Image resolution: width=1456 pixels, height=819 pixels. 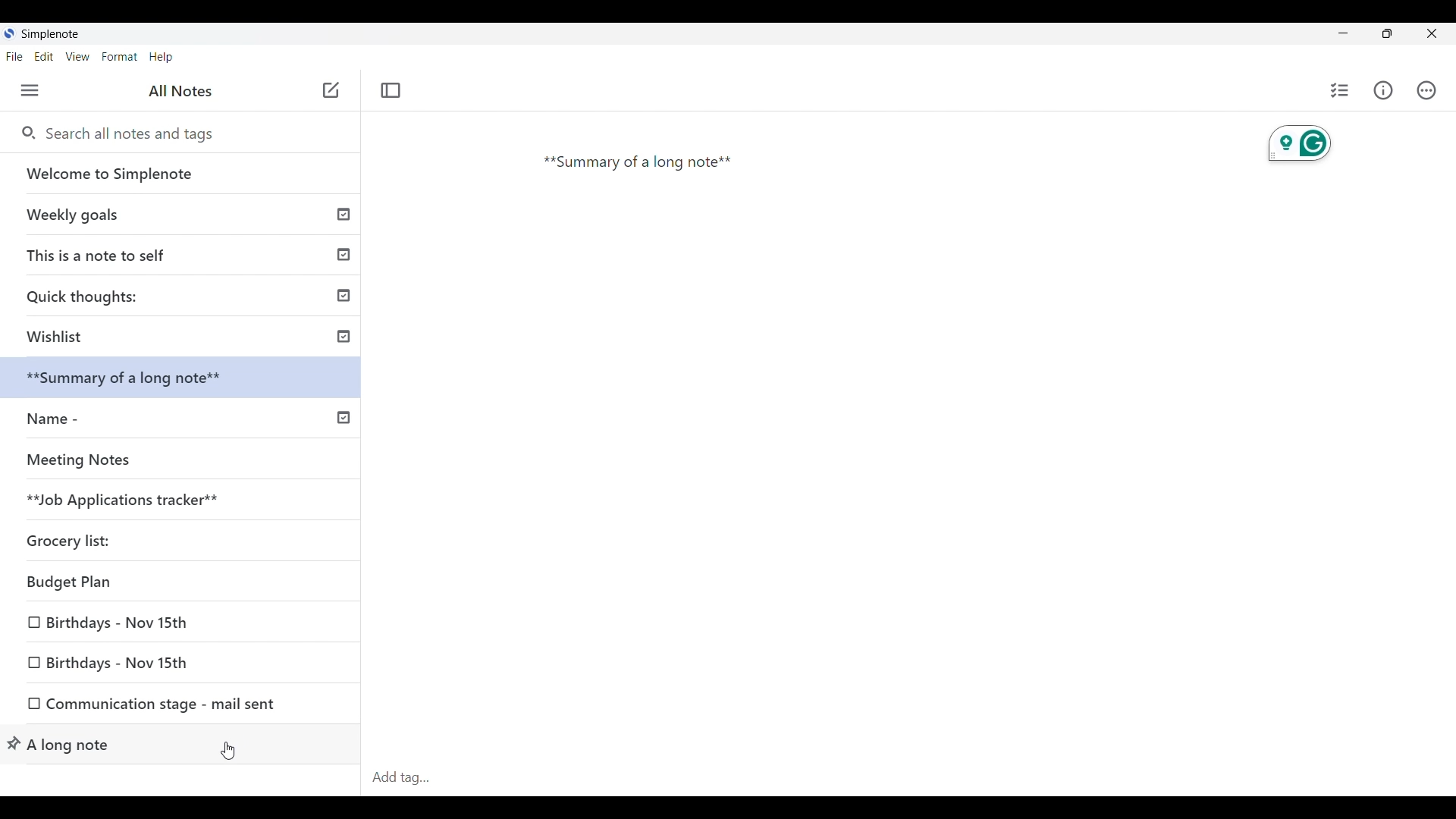 What do you see at coordinates (1298, 145) in the screenshot?
I see `Grammarly extension` at bounding box center [1298, 145].